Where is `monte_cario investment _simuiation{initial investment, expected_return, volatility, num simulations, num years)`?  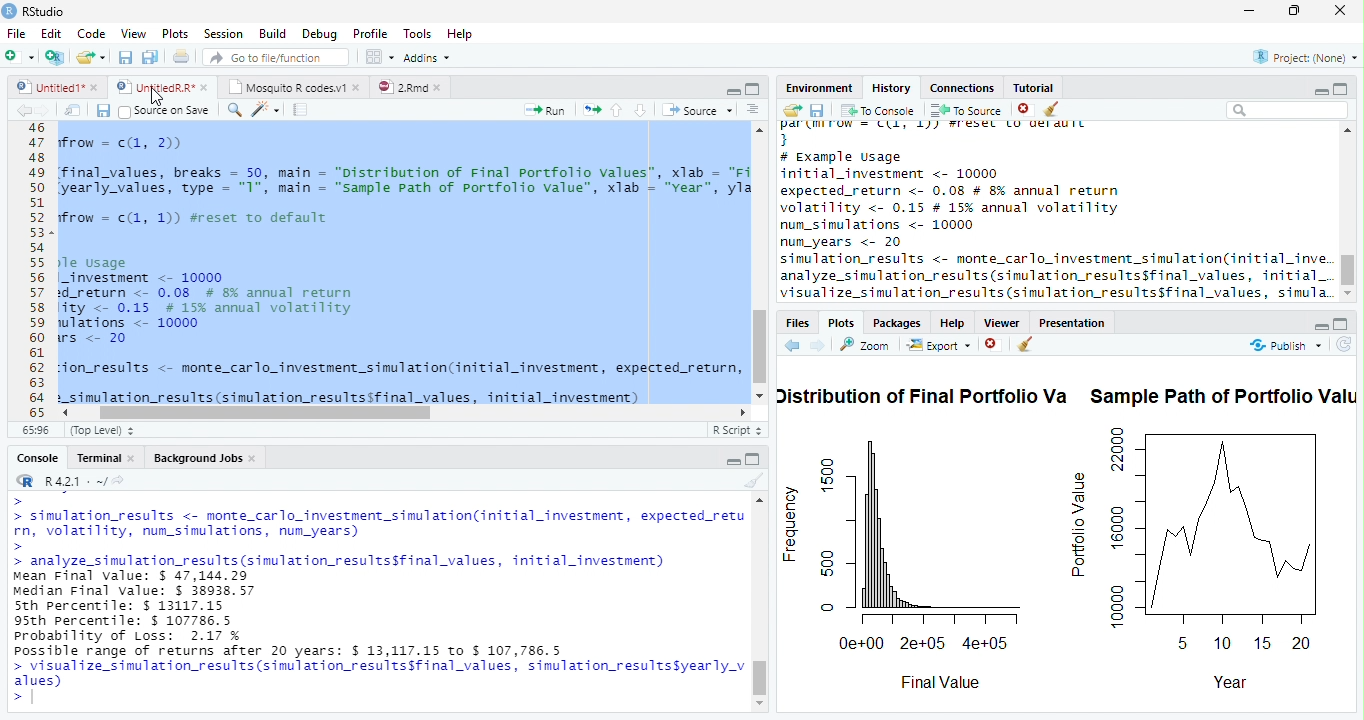 monte_cario investment _simuiation{initial investment, expected_return, volatility, num simulations, num years) is located at coordinates (354, 432).